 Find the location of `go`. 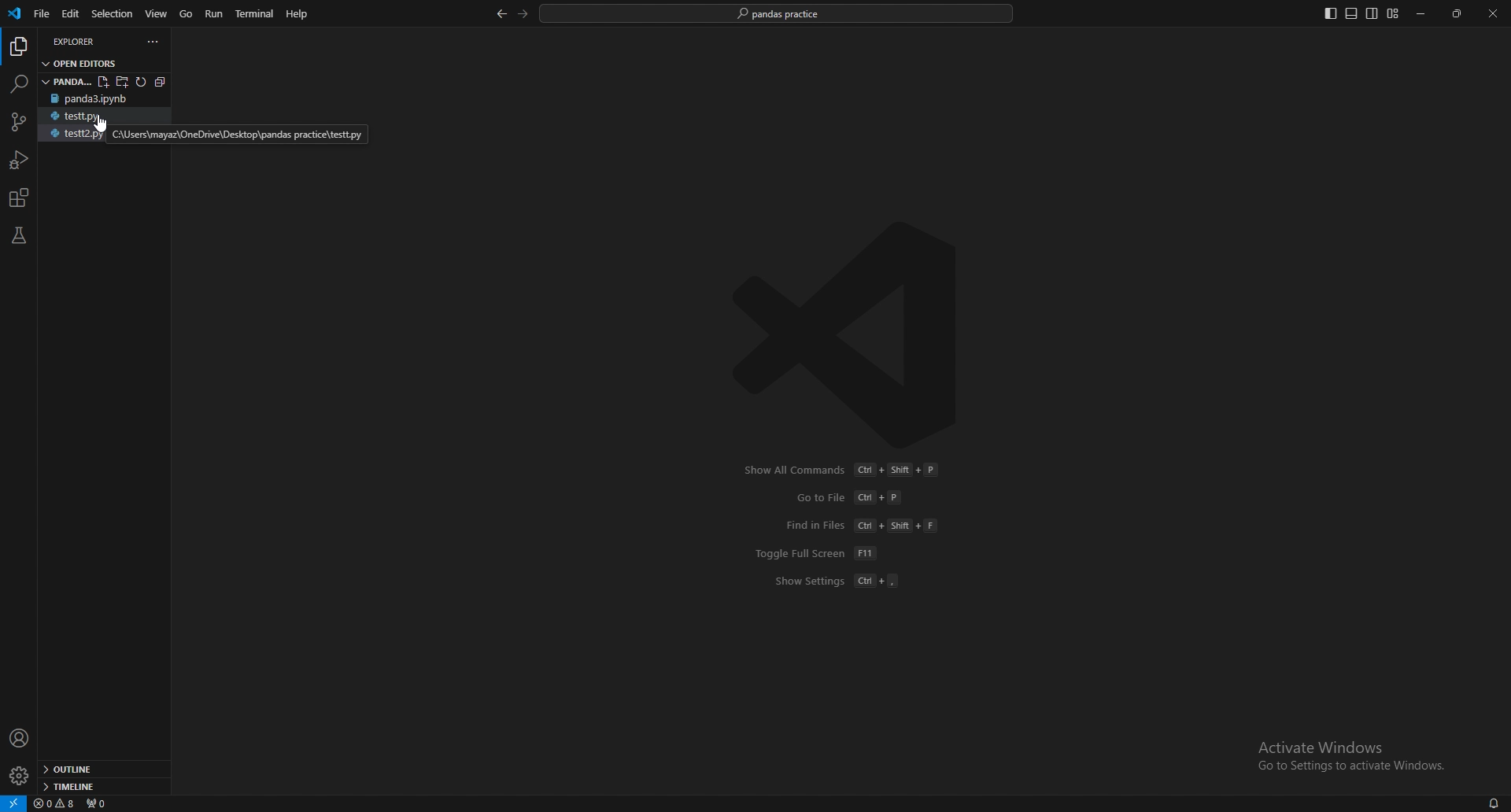

go is located at coordinates (186, 15).